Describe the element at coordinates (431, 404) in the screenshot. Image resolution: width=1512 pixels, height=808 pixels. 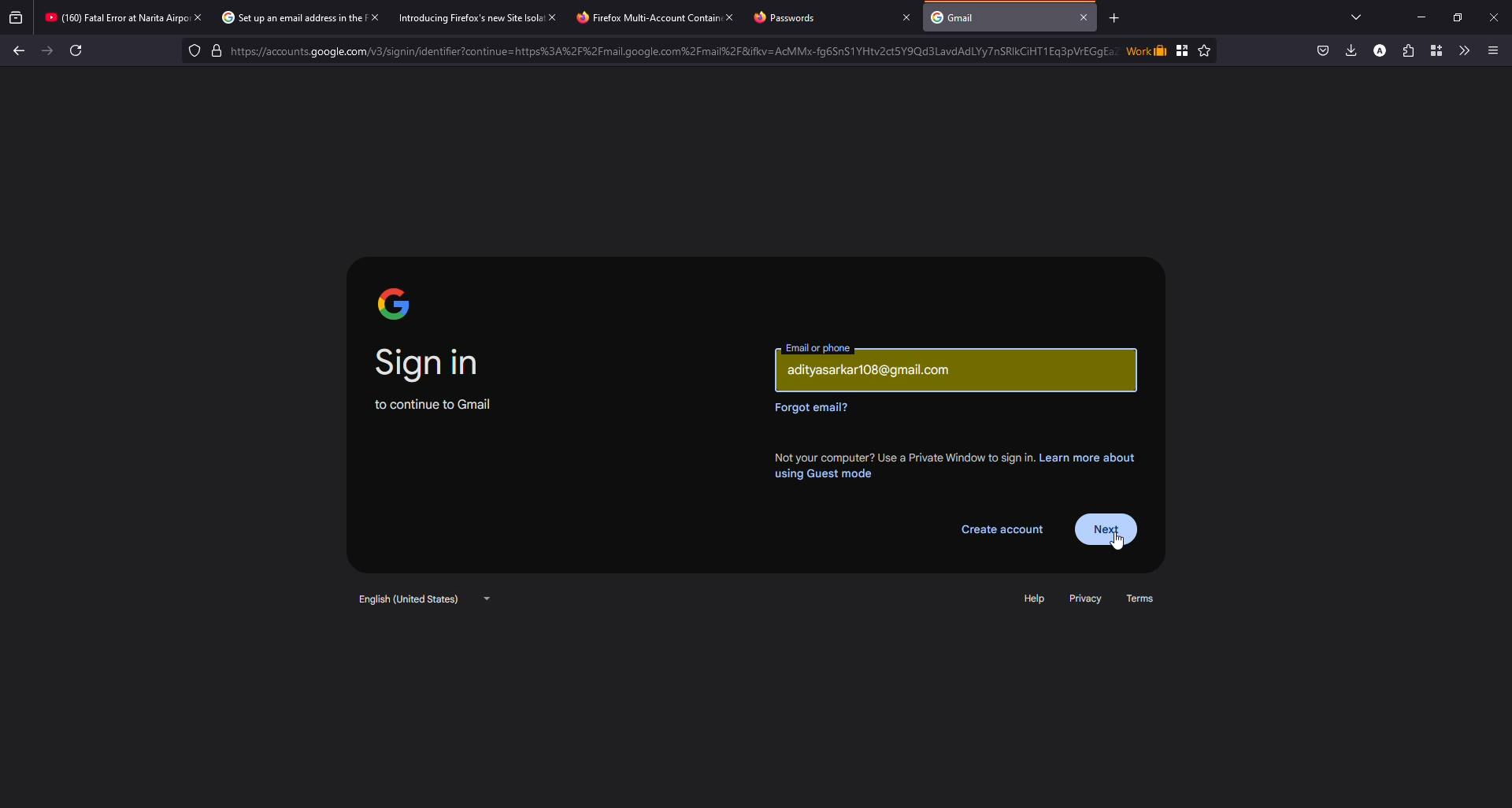
I see `to continue to Gmail` at that location.